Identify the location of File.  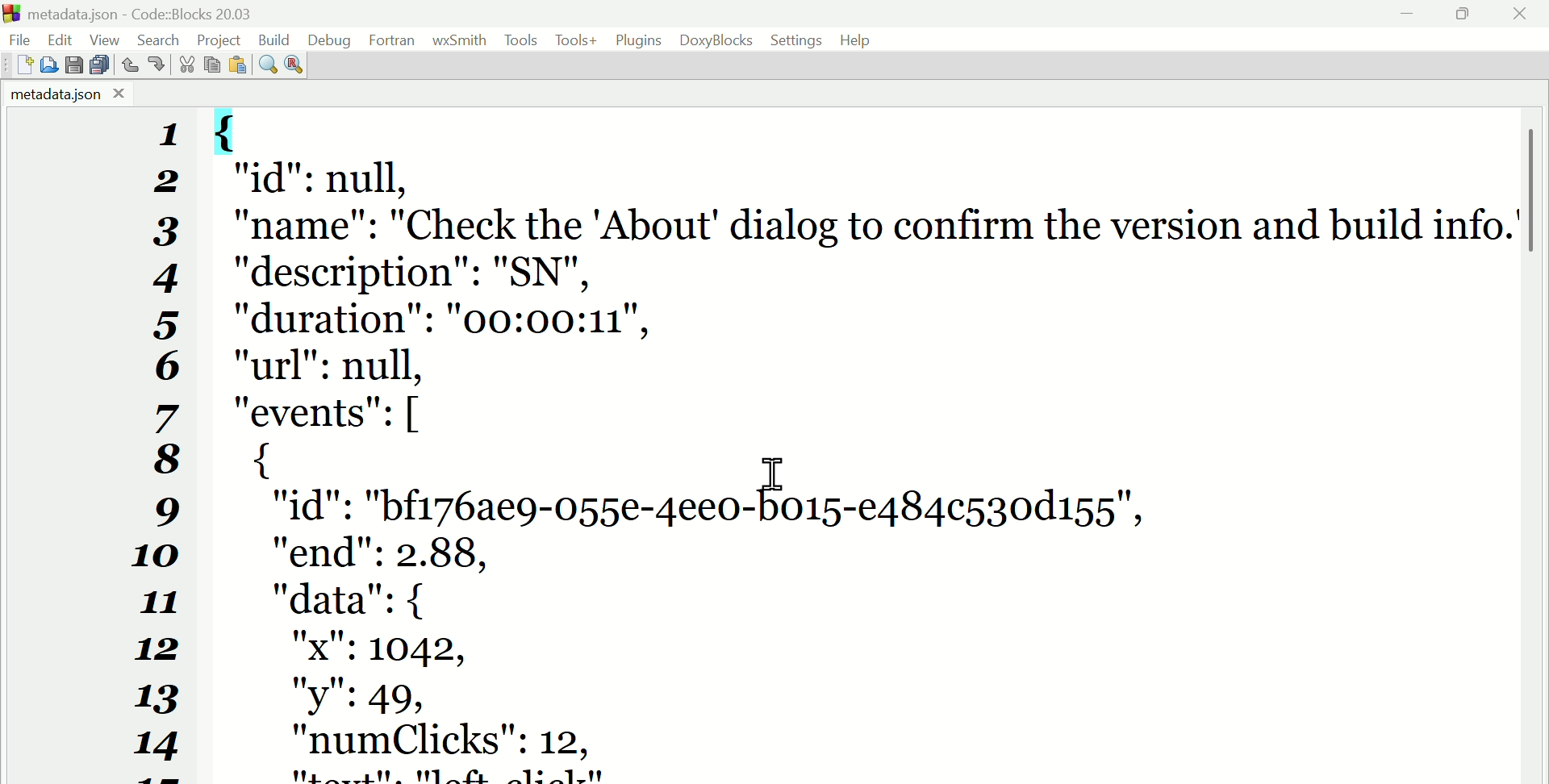
(24, 38).